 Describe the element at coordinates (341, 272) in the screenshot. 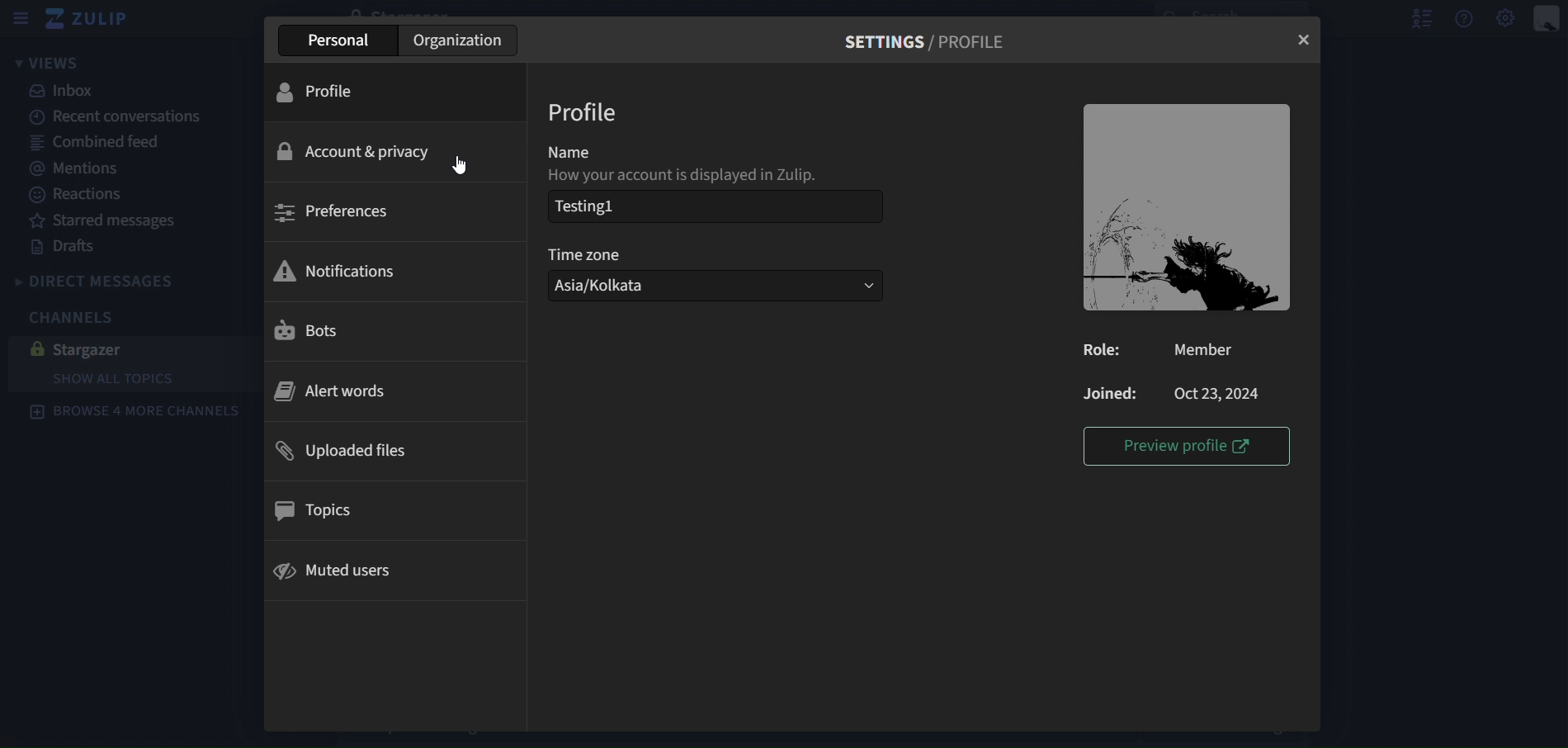

I see `notifications` at that location.